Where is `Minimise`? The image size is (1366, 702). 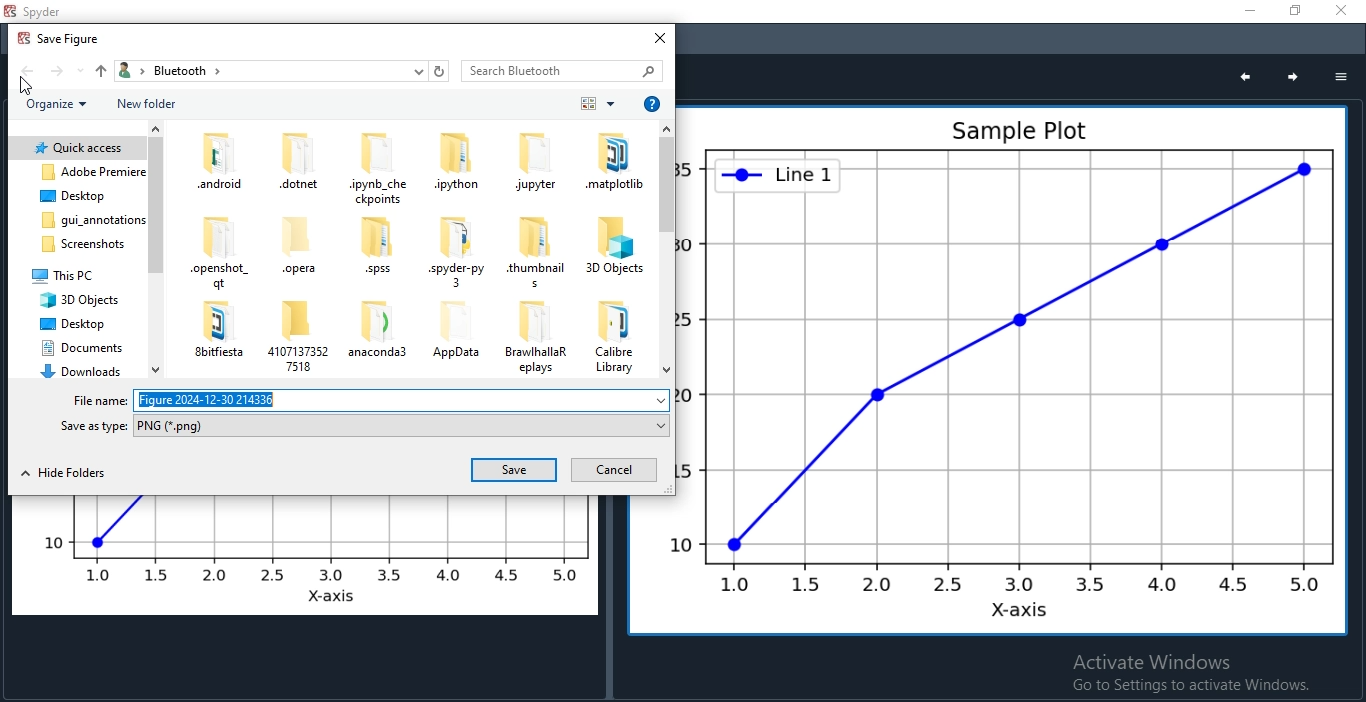
Minimise is located at coordinates (1251, 12).